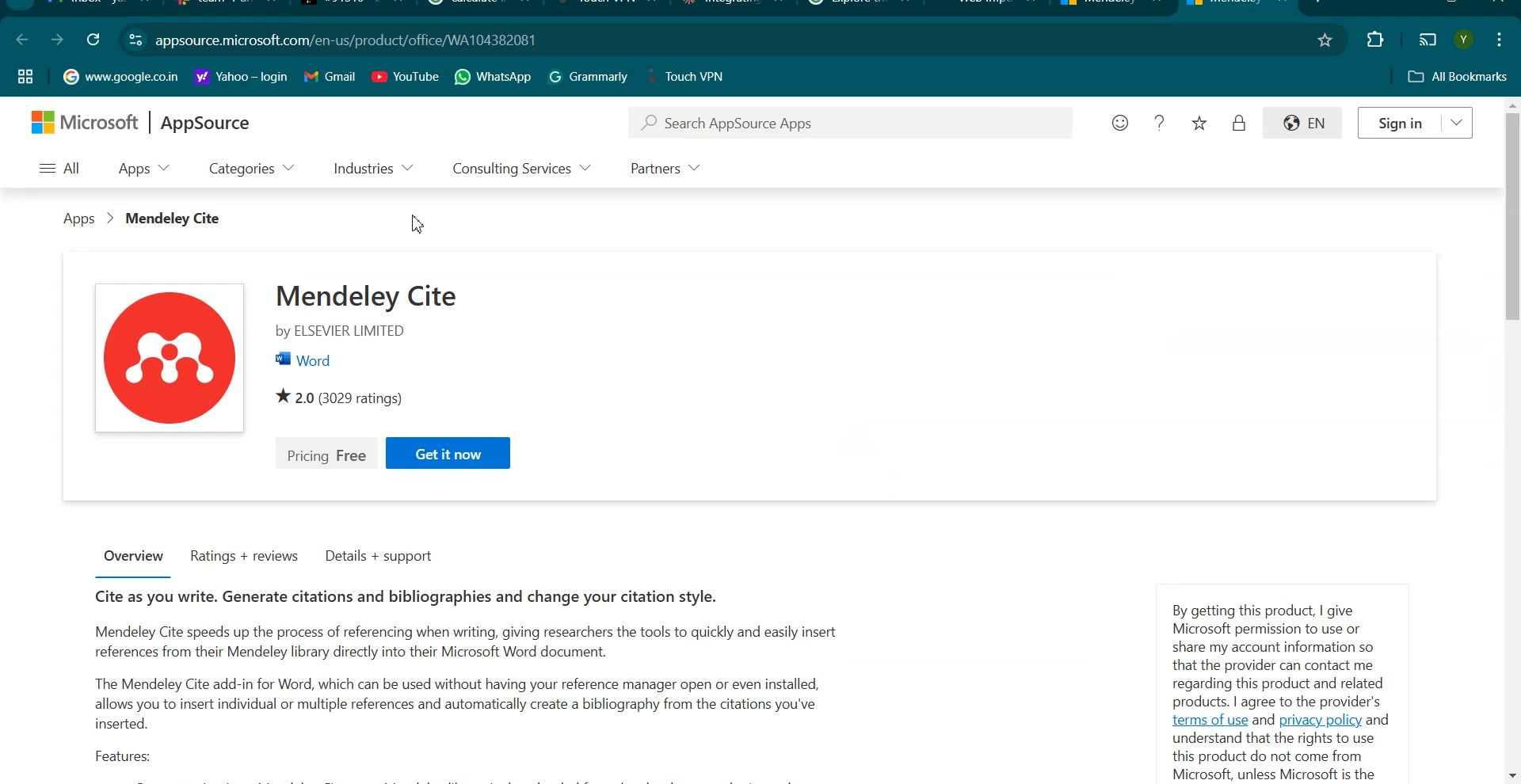 The height and width of the screenshot is (784, 1521). I want to click on Customize and control google chrome, so click(1502, 39).